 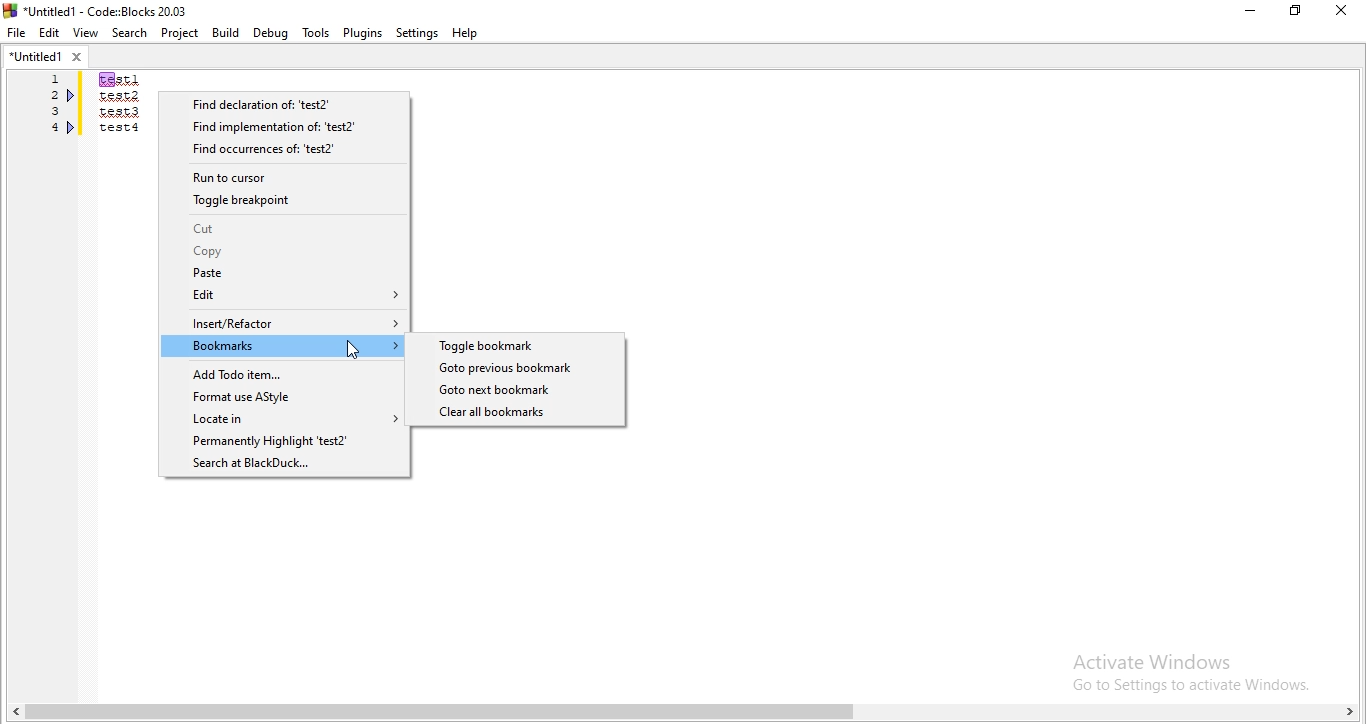 What do you see at coordinates (283, 375) in the screenshot?
I see `Add Todo item..` at bounding box center [283, 375].